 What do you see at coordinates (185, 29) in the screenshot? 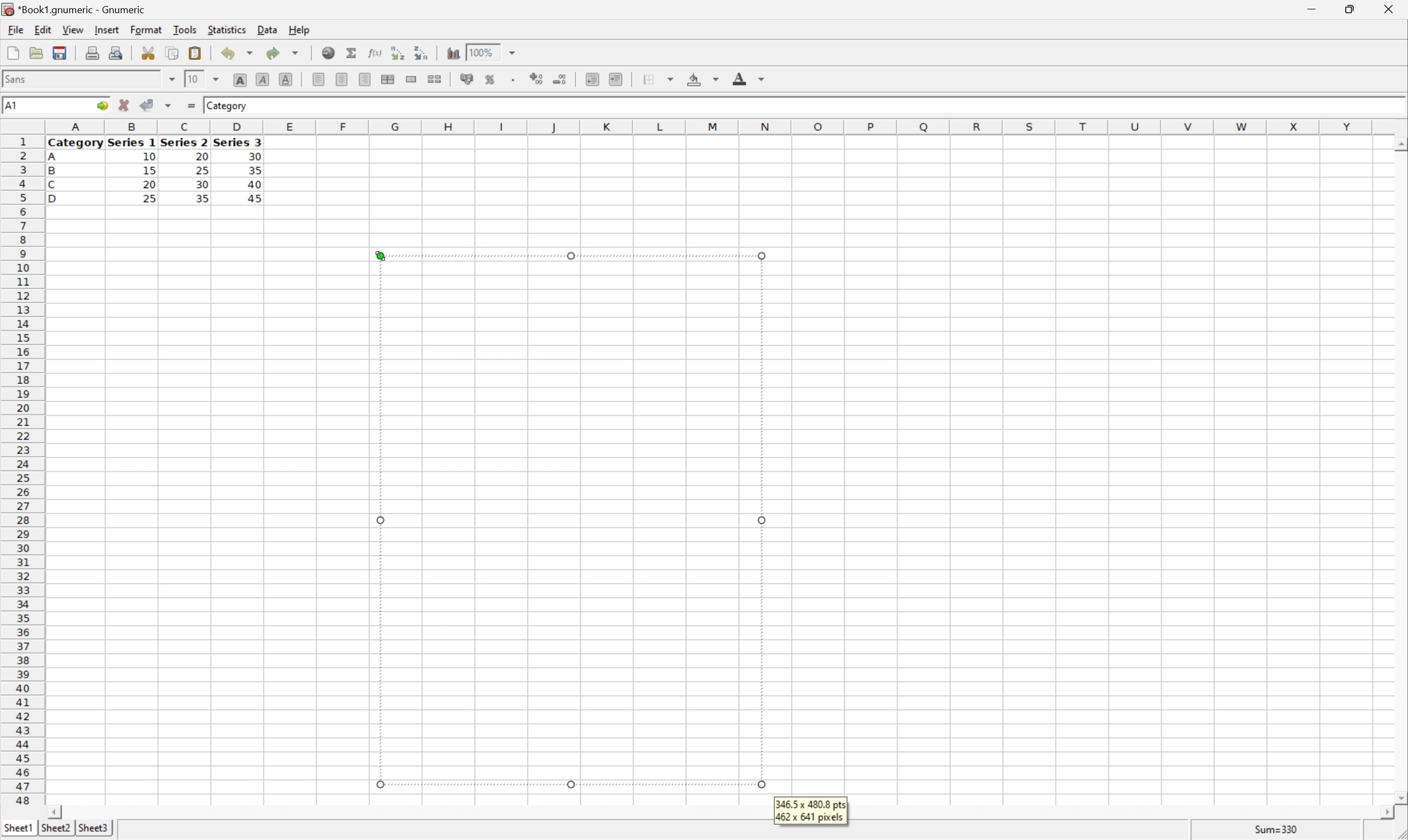
I see `Tools` at bounding box center [185, 29].